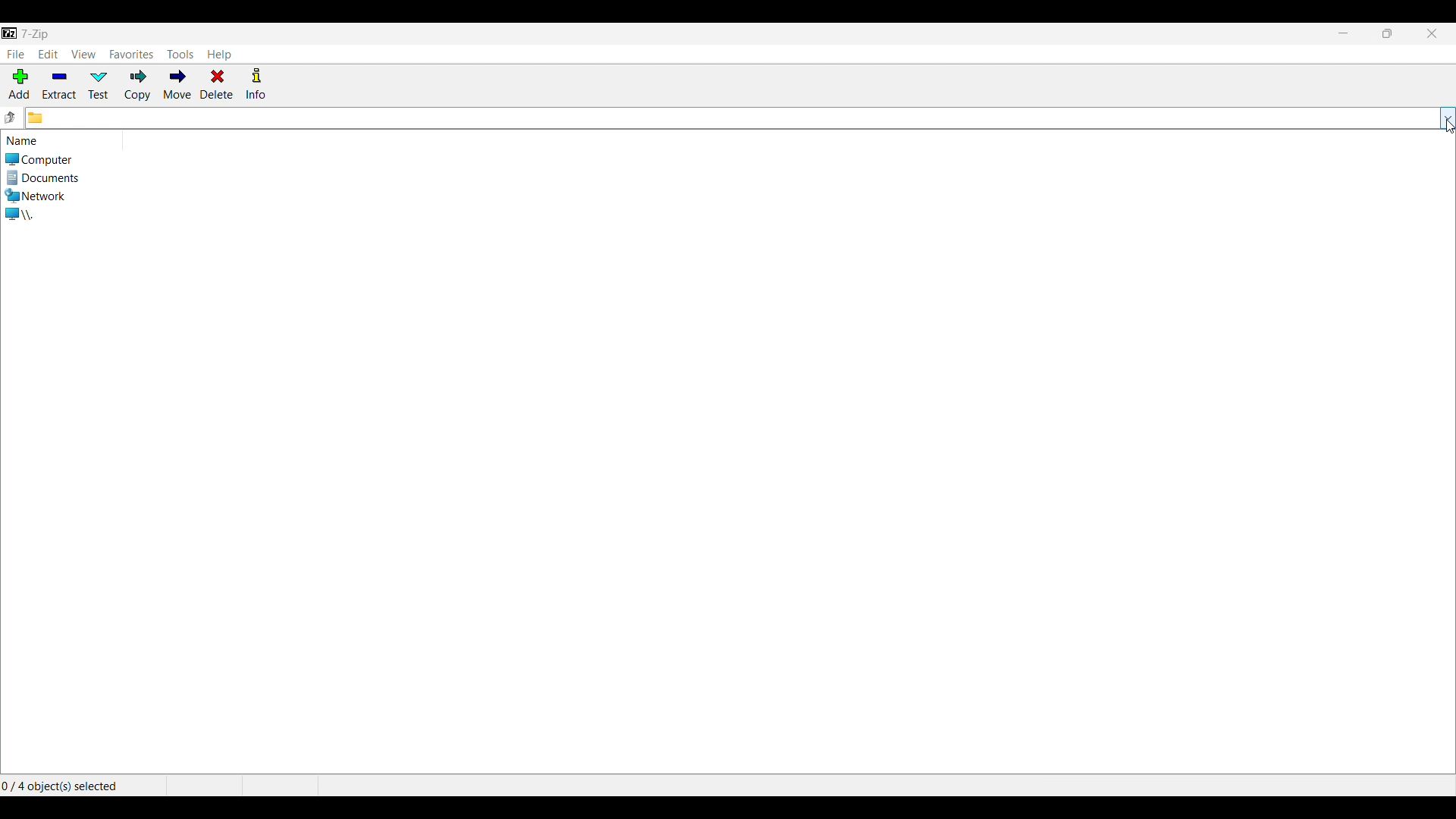 This screenshot has height=819, width=1456. What do you see at coordinates (20, 84) in the screenshot?
I see `Add` at bounding box center [20, 84].